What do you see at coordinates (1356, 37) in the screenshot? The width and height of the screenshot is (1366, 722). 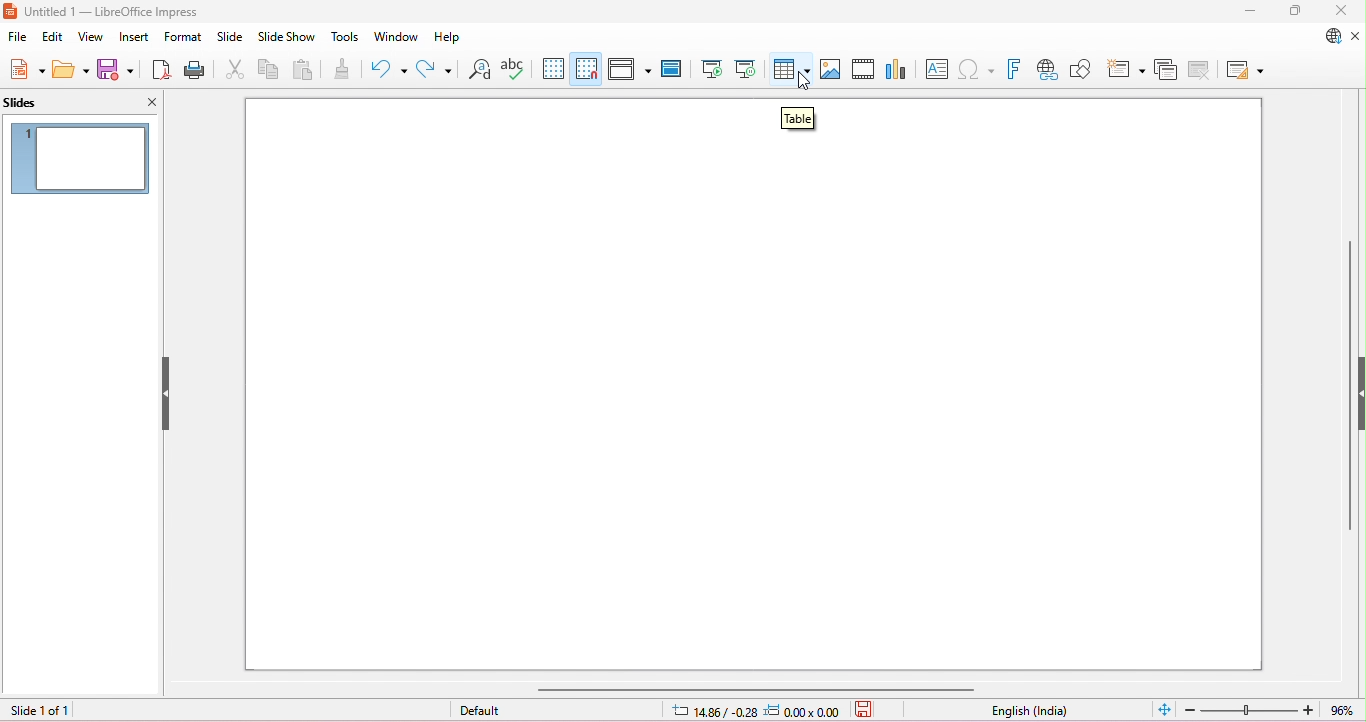 I see `close` at bounding box center [1356, 37].